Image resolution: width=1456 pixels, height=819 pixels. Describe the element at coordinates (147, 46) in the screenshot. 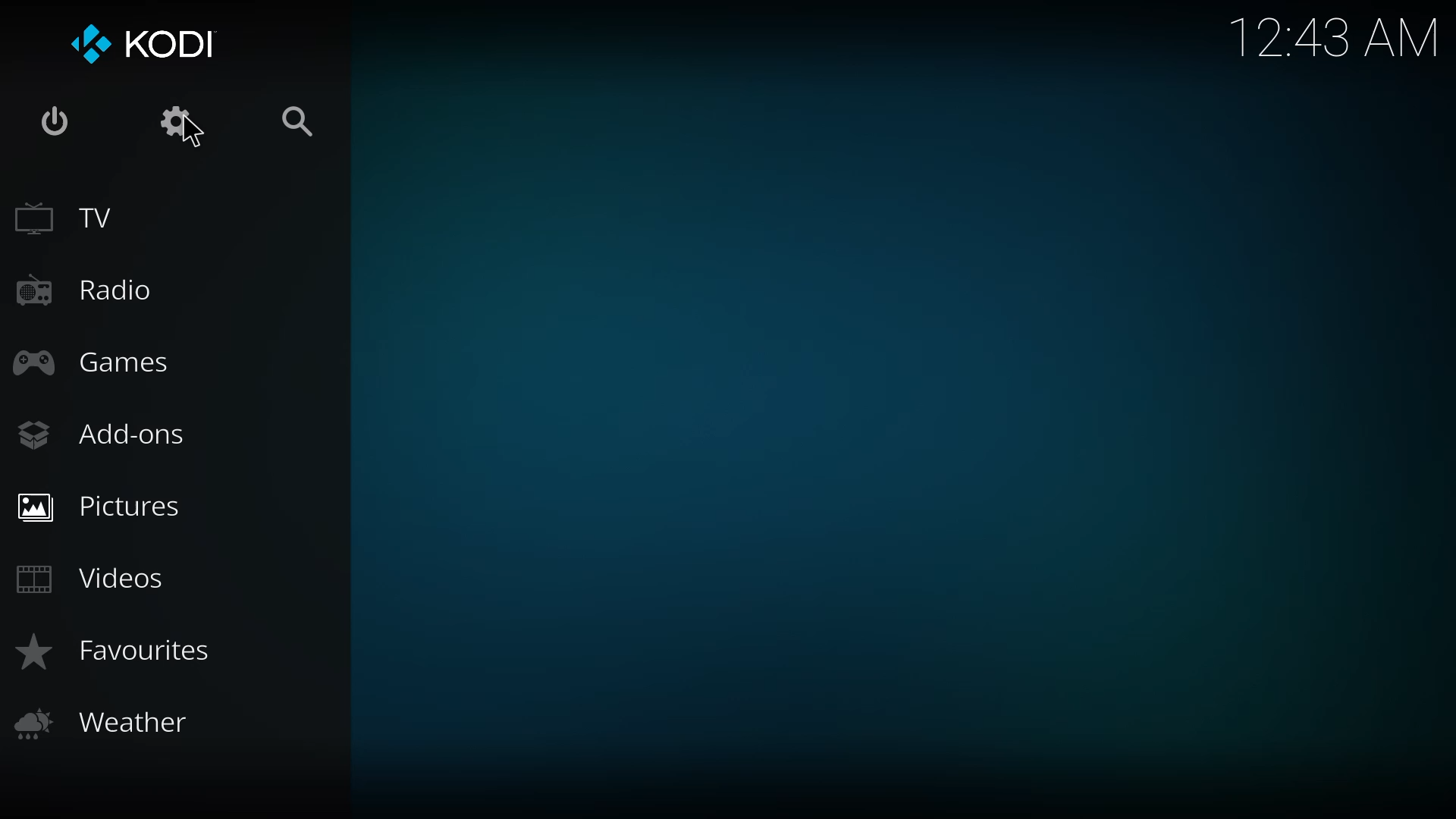

I see `kodi` at that location.